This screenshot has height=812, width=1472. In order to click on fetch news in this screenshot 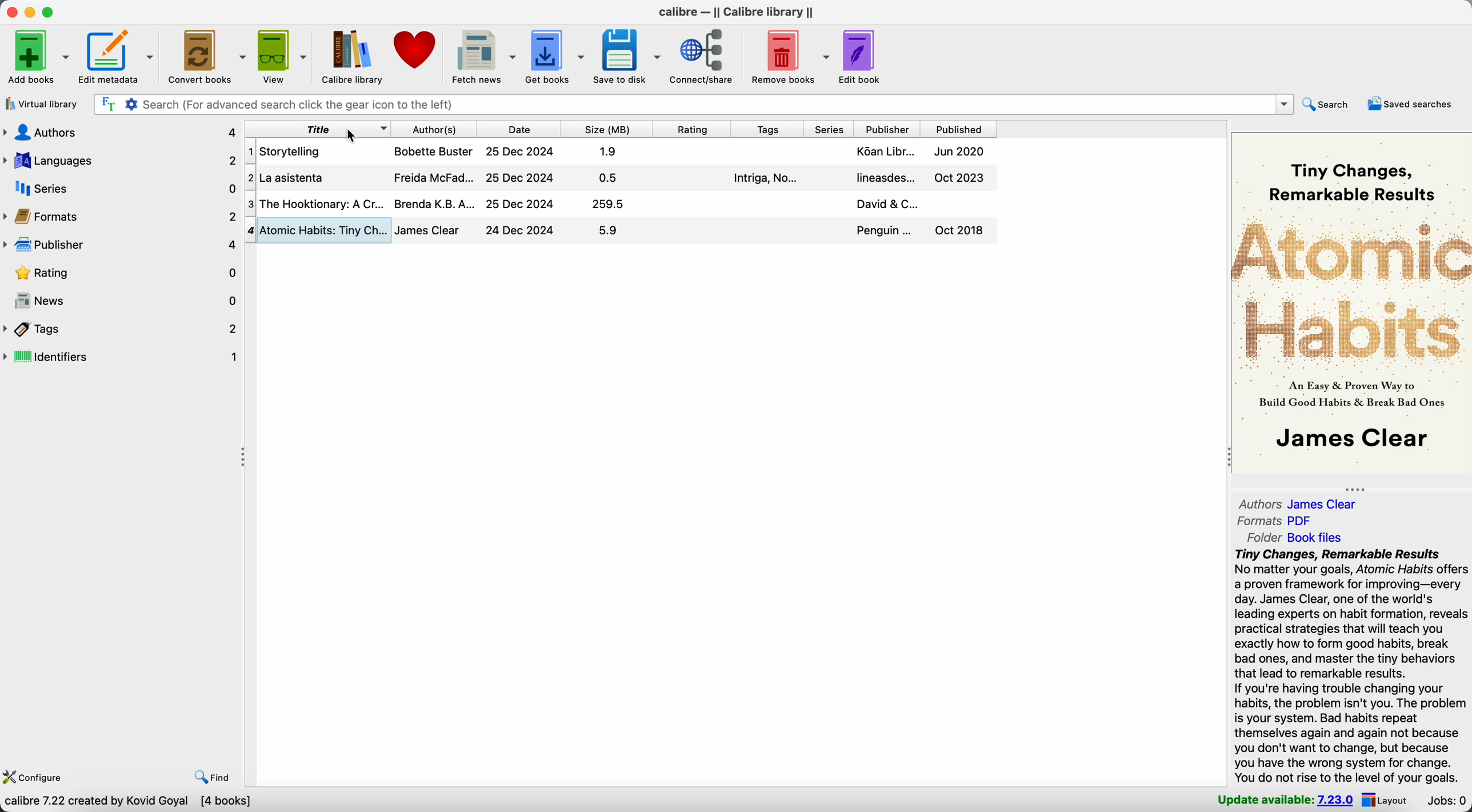, I will do `click(484, 56)`.